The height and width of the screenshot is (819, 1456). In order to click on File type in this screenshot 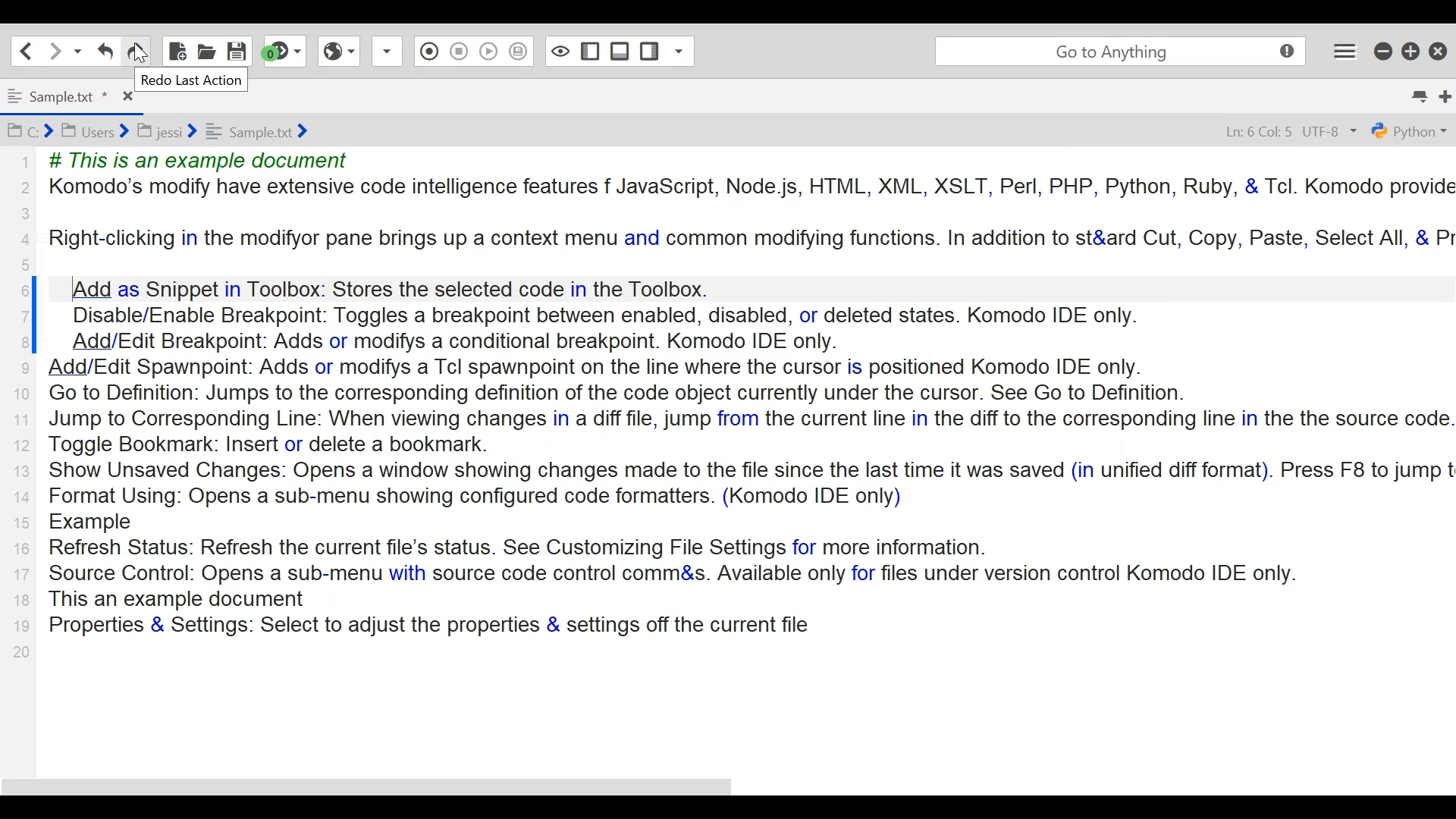, I will do `click(1411, 130)`.